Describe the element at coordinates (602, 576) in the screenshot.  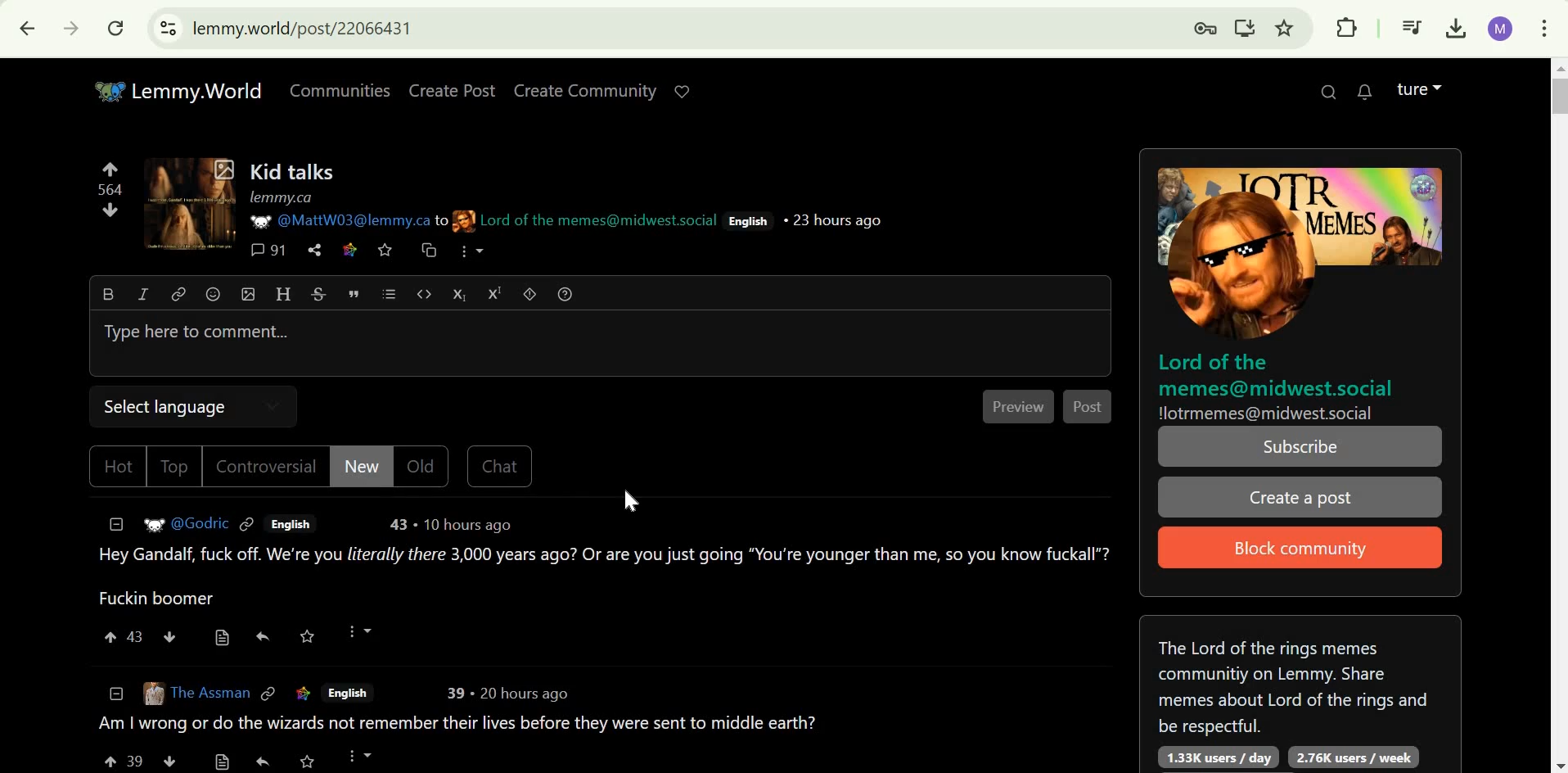
I see `Comment` at that location.